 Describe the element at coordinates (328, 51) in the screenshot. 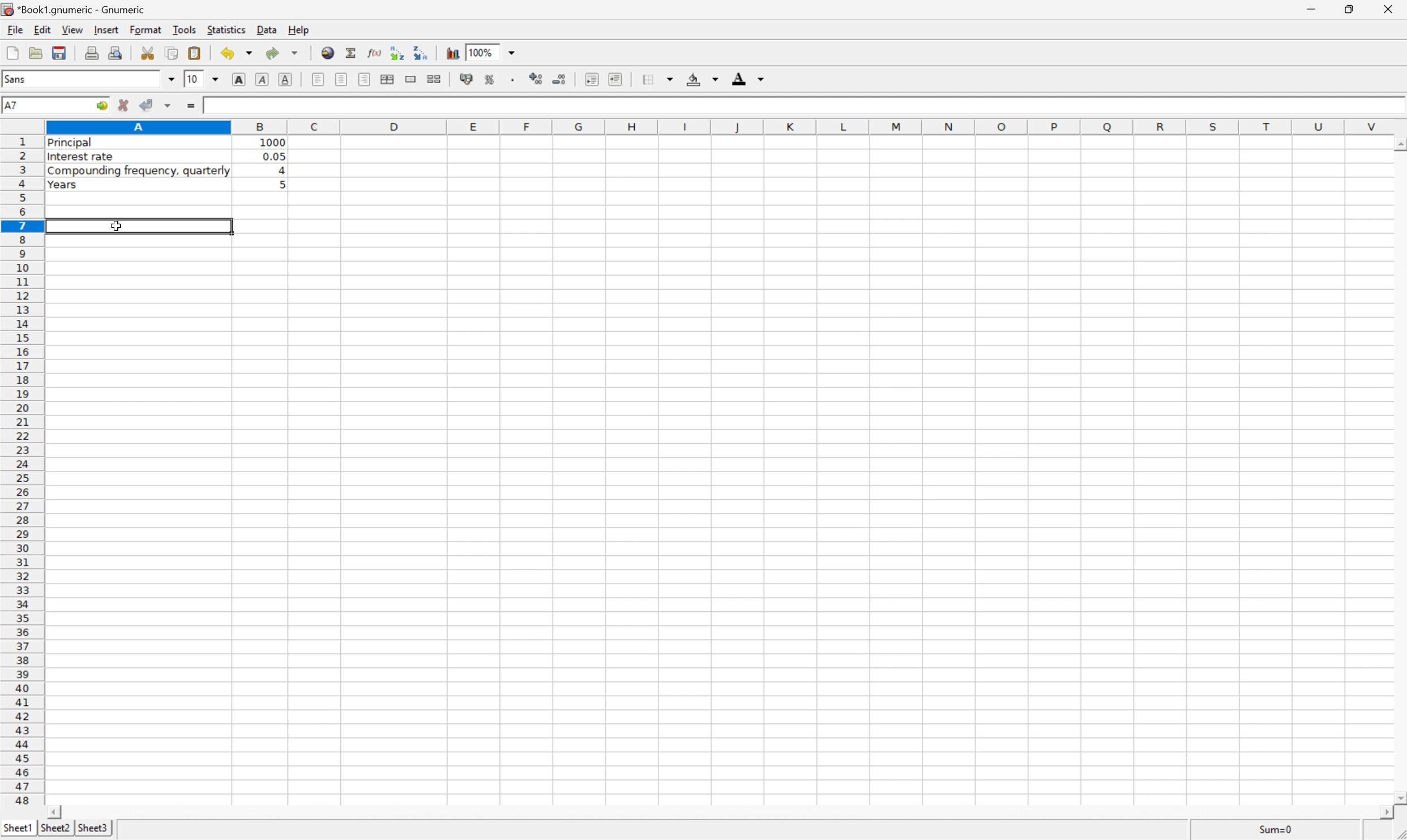

I see `insert hyperlink` at that location.